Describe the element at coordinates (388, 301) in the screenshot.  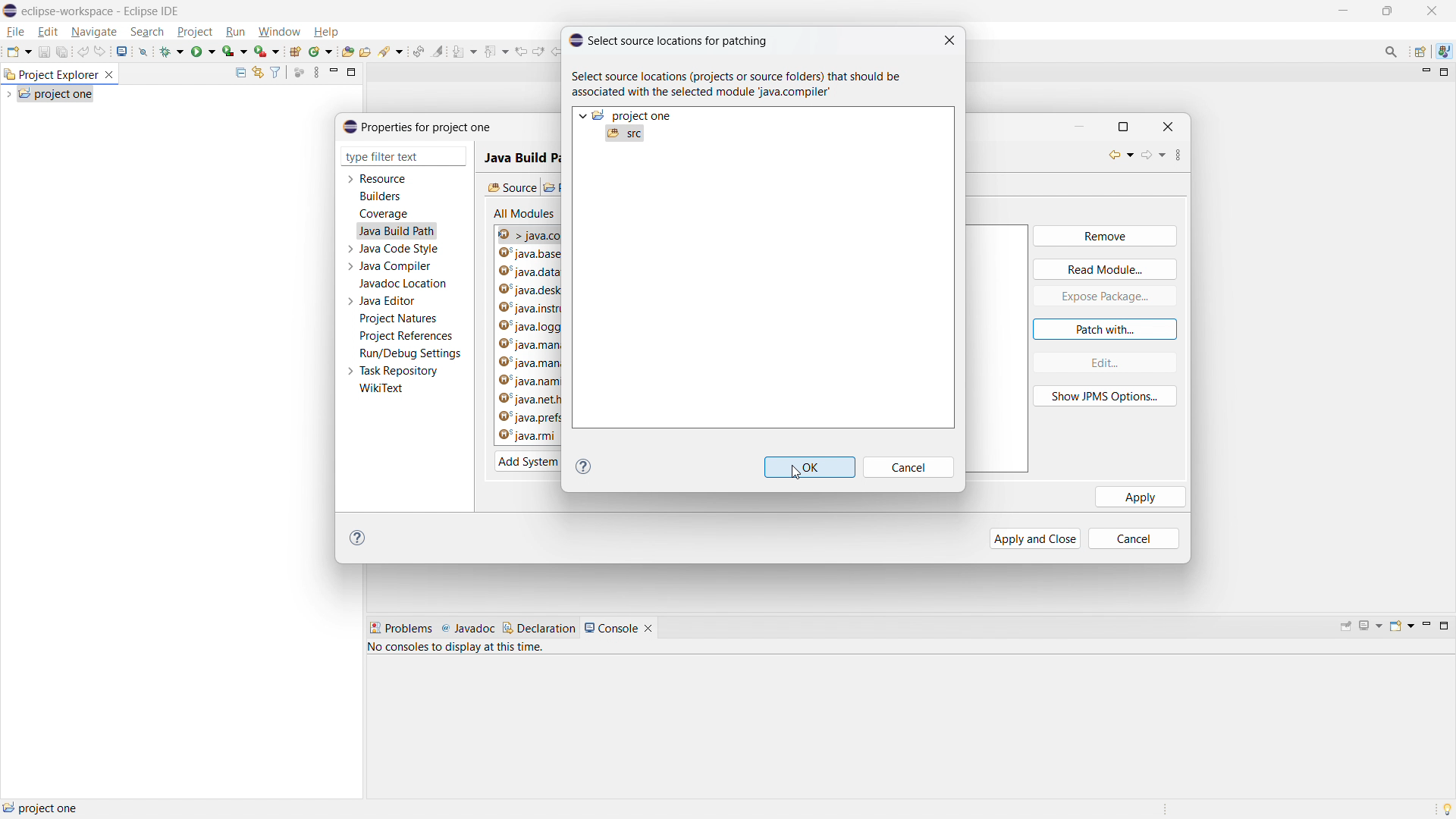
I see `java editor` at that location.